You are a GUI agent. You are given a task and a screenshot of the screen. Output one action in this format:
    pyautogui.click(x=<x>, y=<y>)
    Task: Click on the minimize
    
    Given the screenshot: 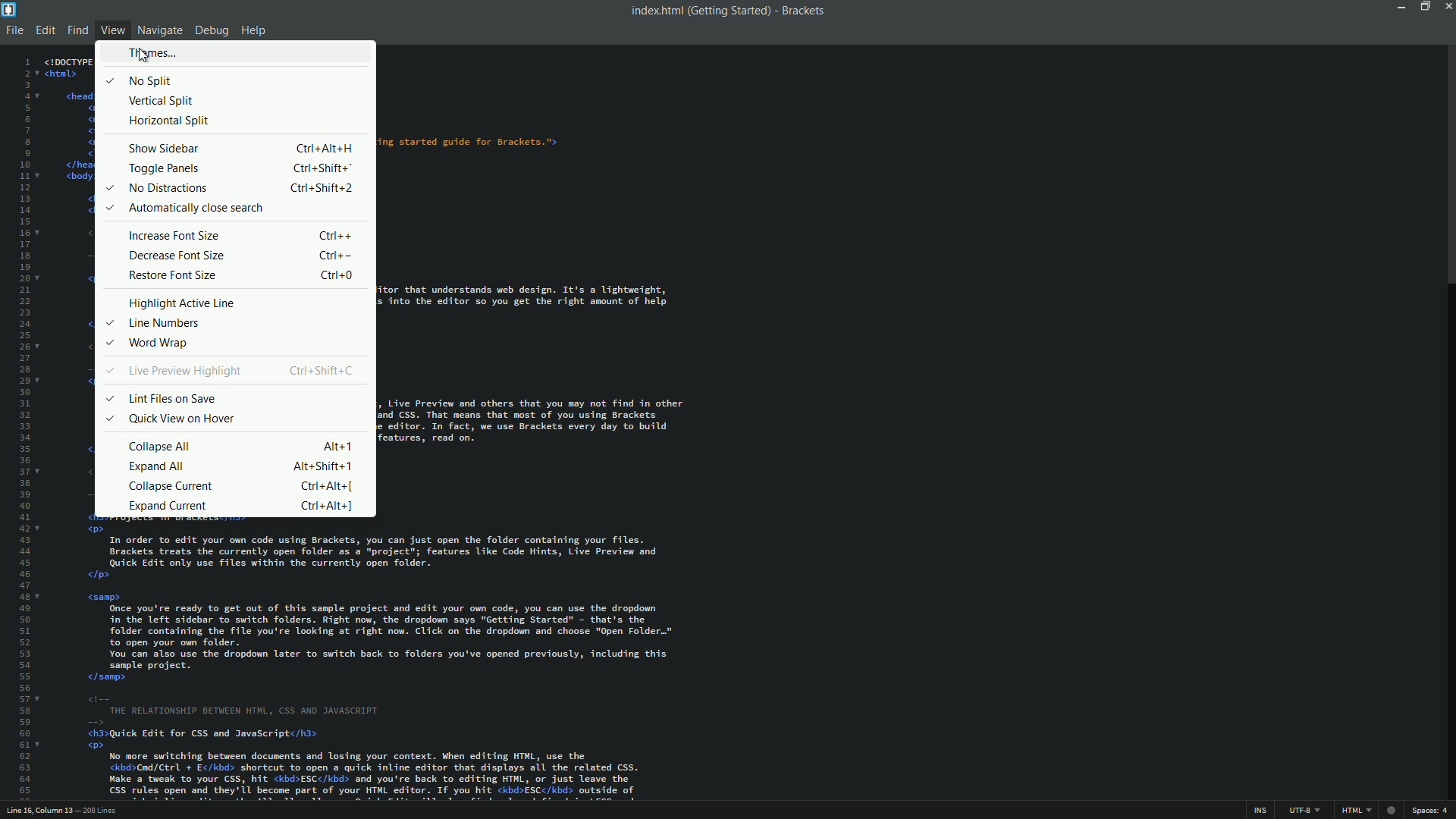 What is the action you would take?
    pyautogui.click(x=1398, y=6)
    